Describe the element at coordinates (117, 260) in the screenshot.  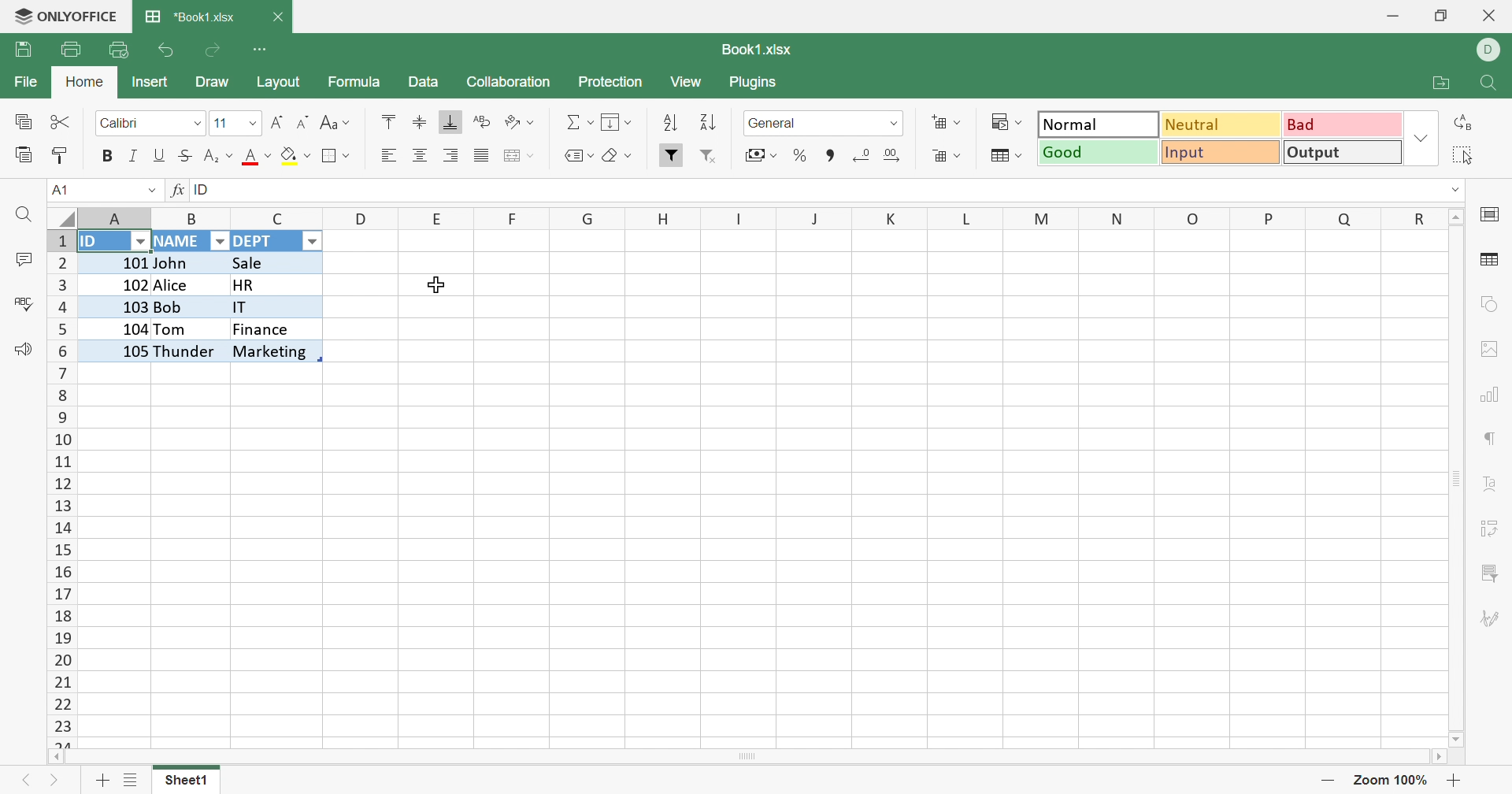
I see `101` at that location.